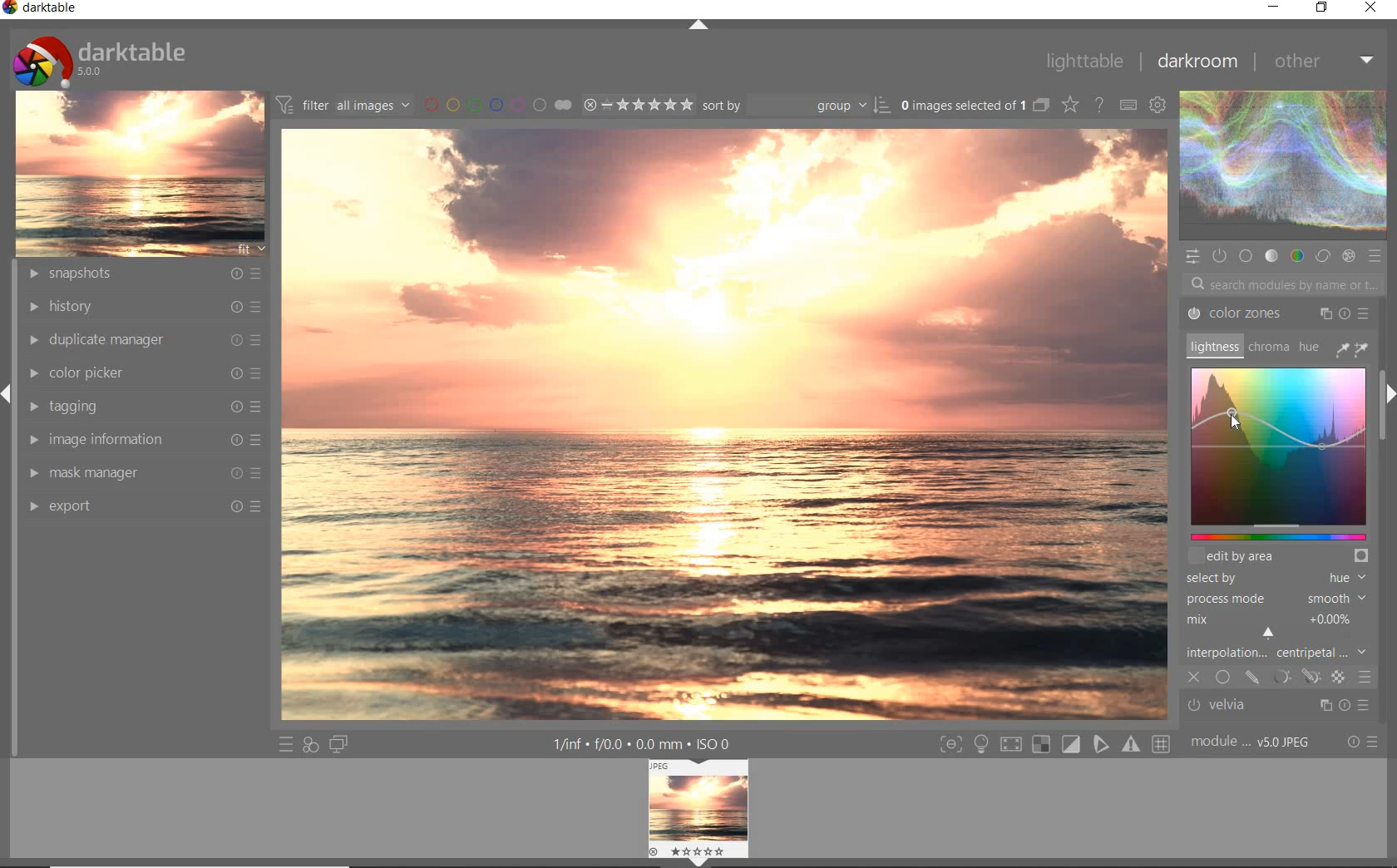 This screenshot has height=868, width=1397. I want to click on OTHER INTERFACE DETAIL, so click(645, 744).